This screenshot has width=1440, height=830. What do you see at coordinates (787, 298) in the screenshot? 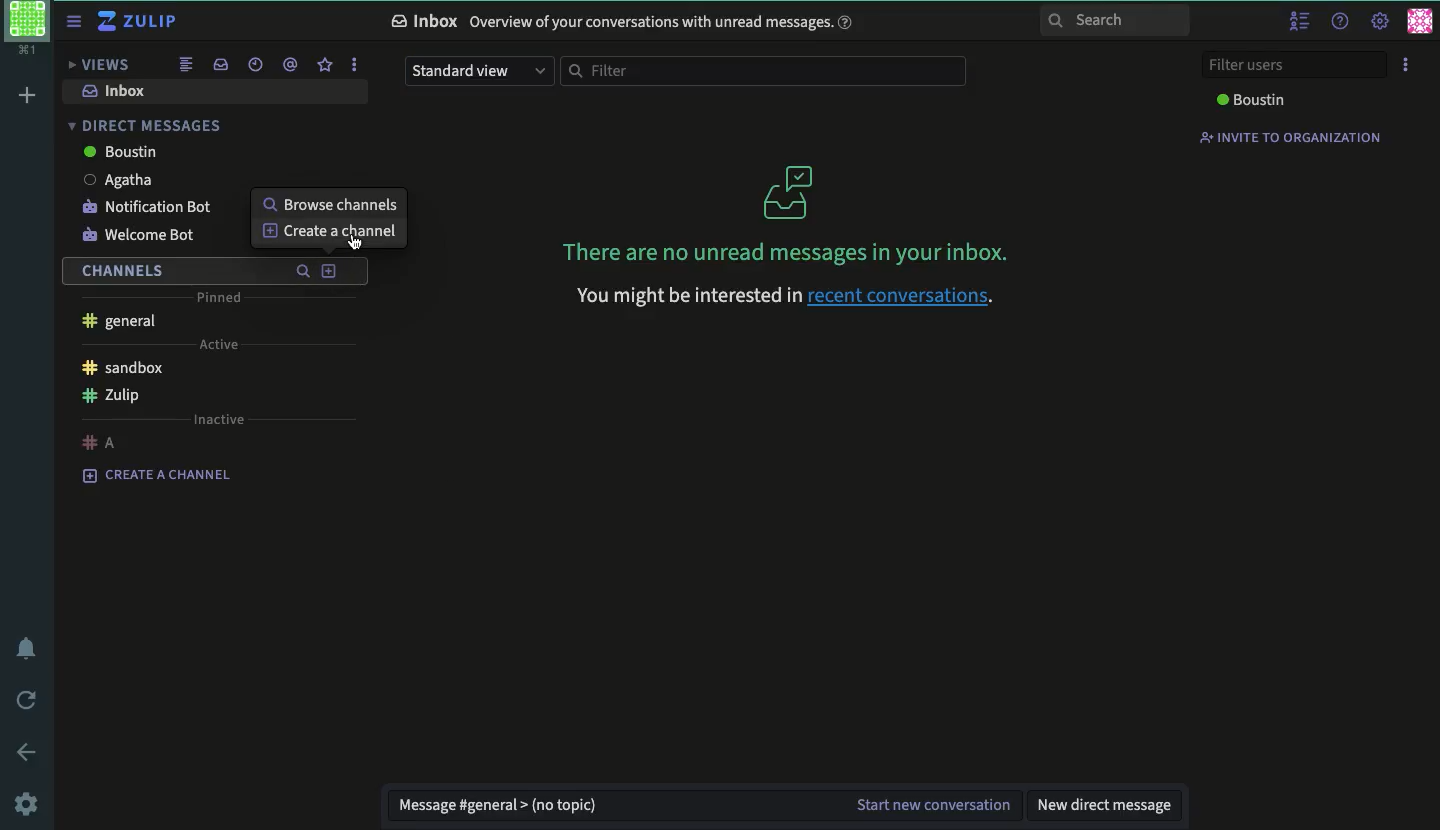
I see `‘You might be interested in recent conversations.` at bounding box center [787, 298].